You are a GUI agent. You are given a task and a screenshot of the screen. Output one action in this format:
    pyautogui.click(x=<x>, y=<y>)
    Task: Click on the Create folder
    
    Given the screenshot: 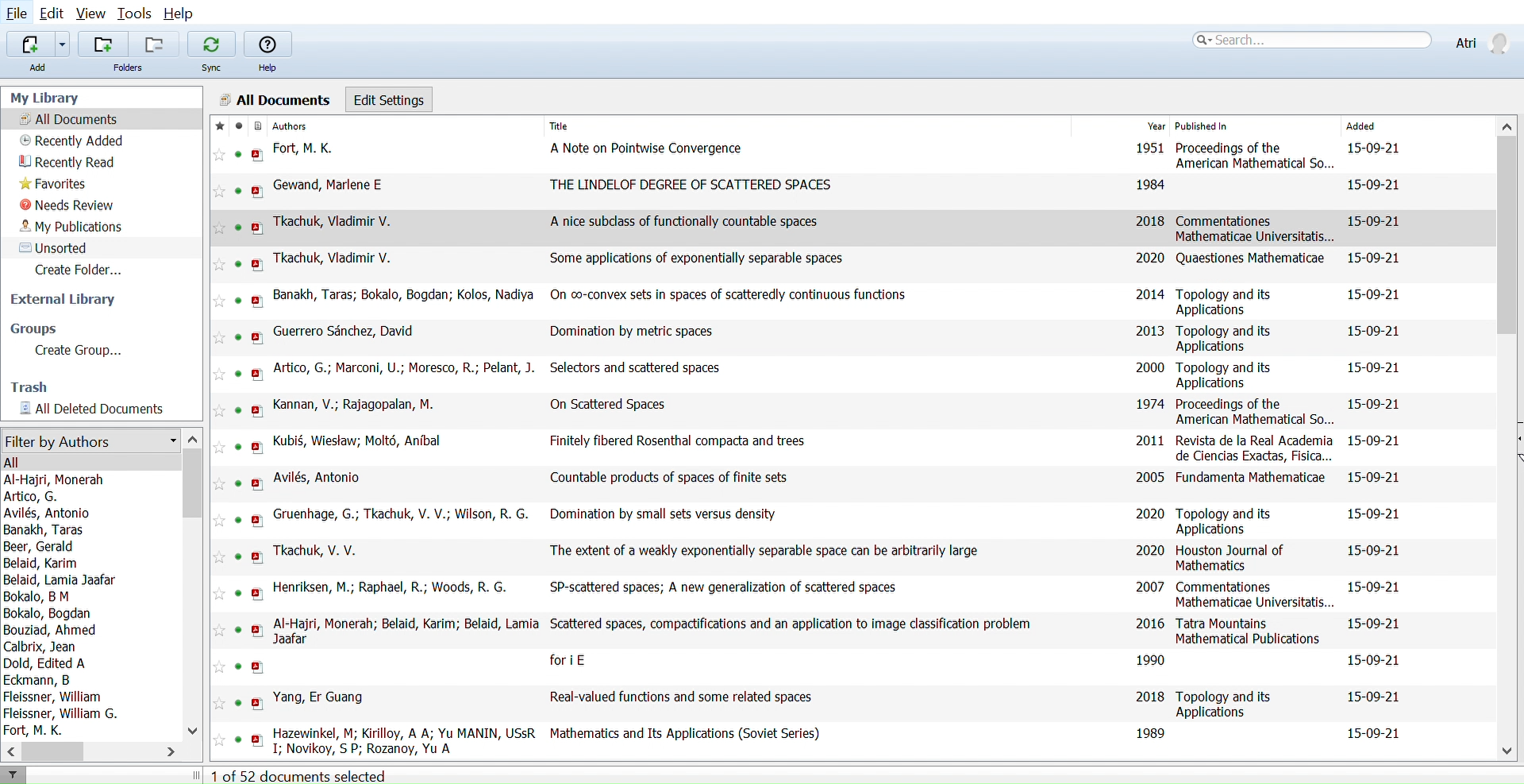 What is the action you would take?
    pyautogui.click(x=85, y=270)
    